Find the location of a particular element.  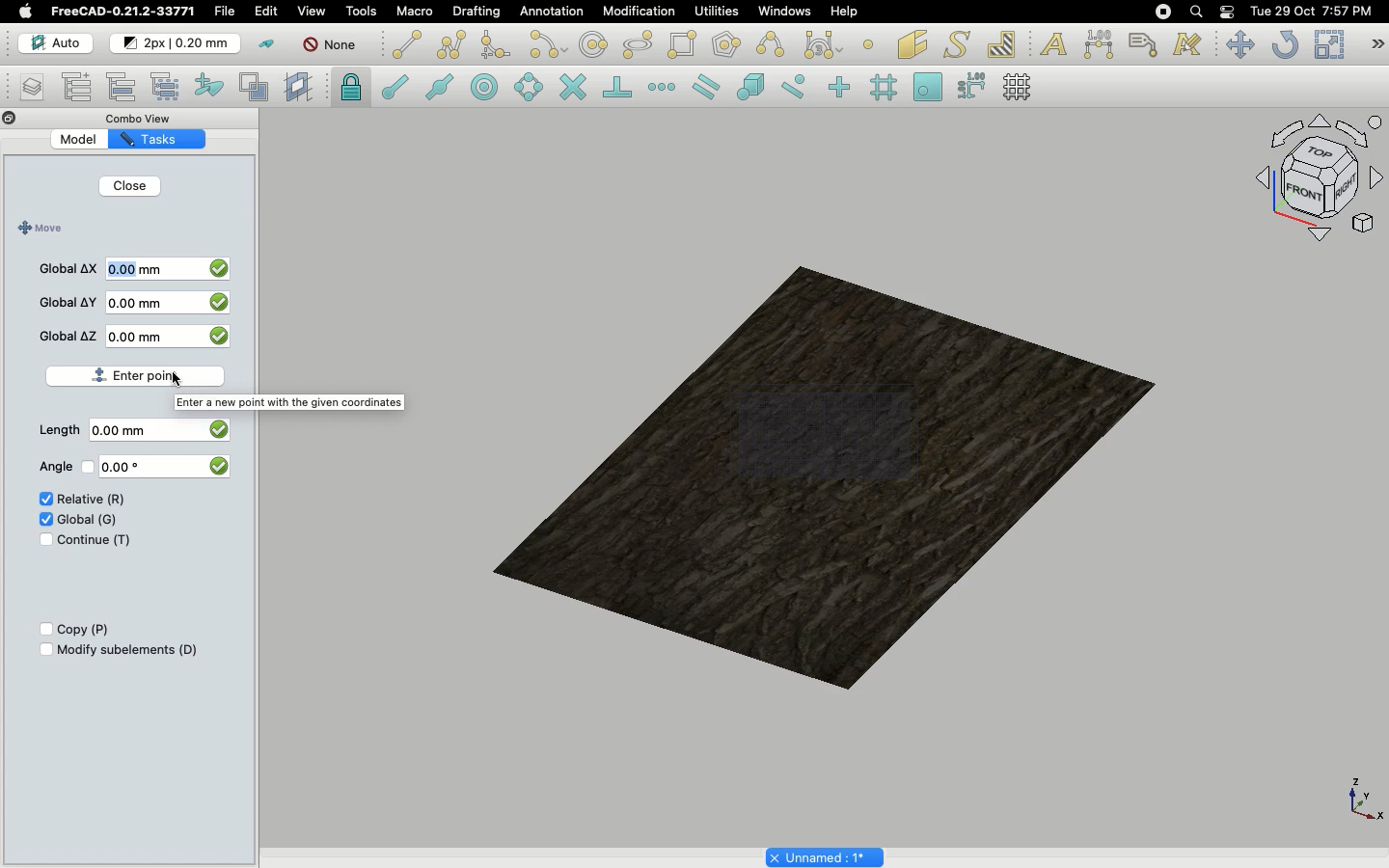

Add new named group is located at coordinates (81, 89).